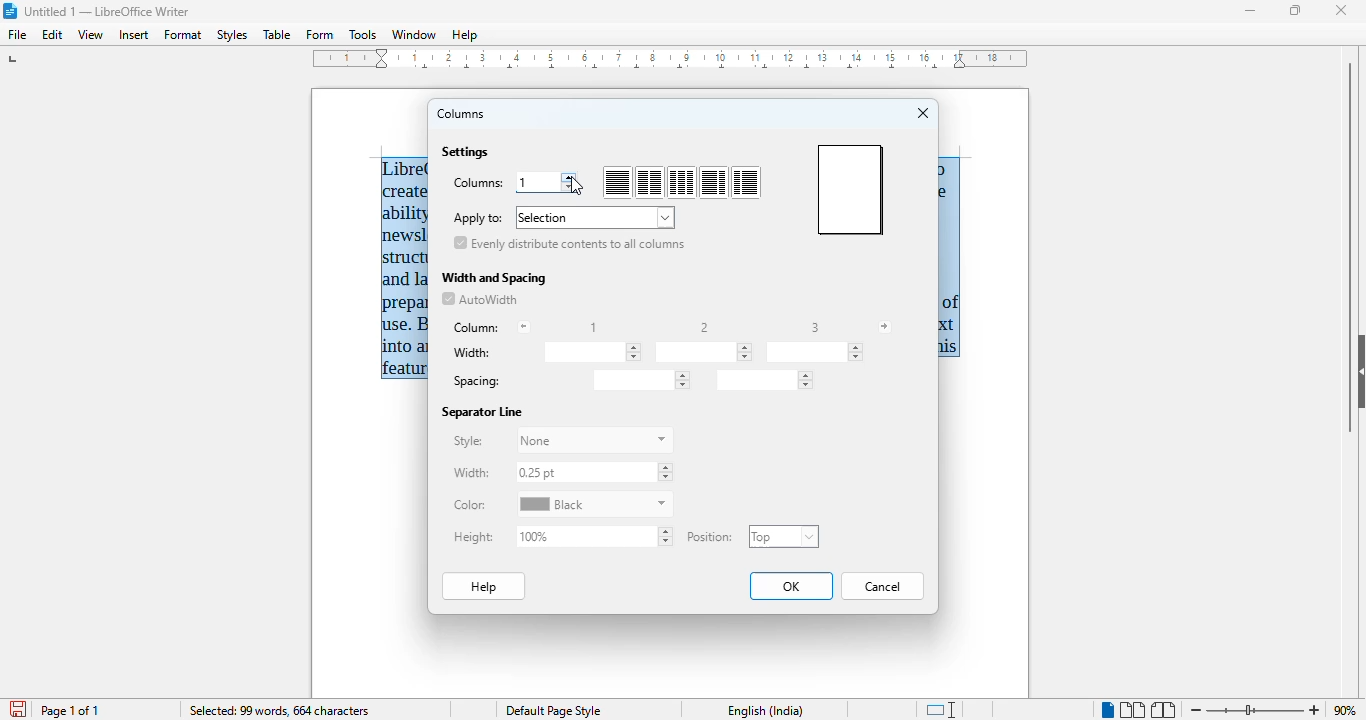 The width and height of the screenshot is (1366, 720). I want to click on 3 columns with equal size, so click(682, 182).